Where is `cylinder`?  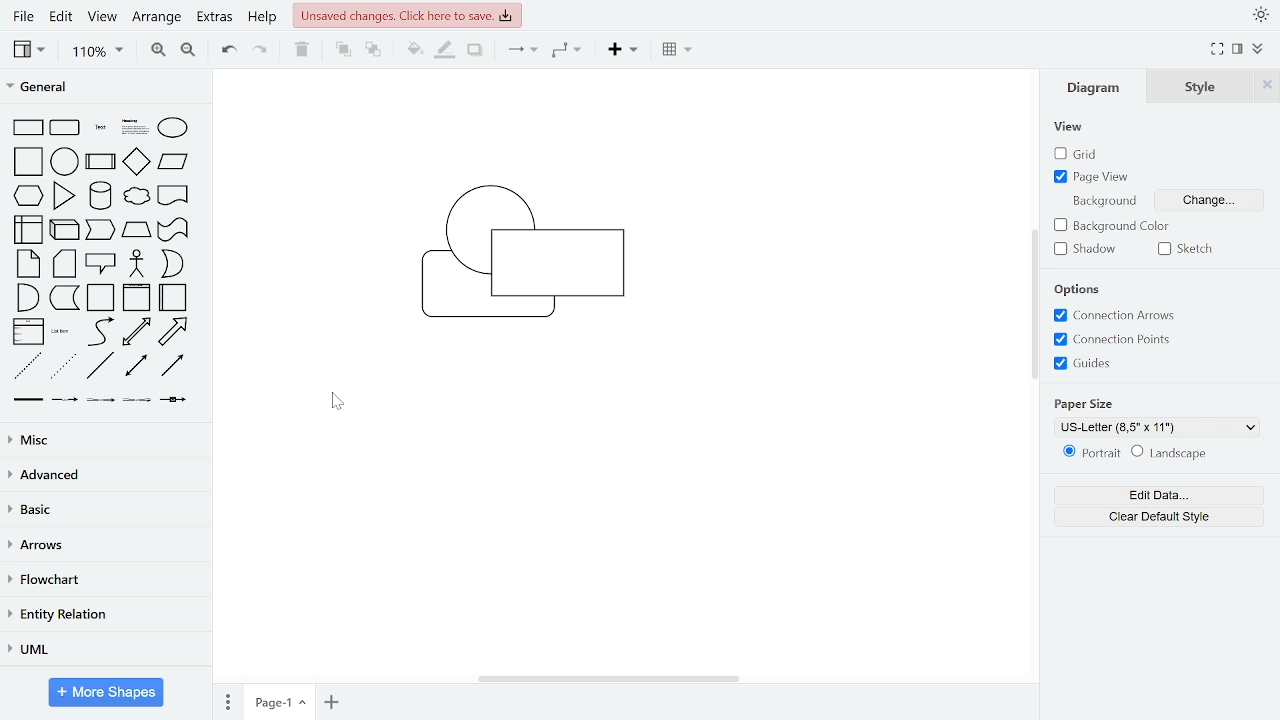 cylinder is located at coordinates (100, 197).